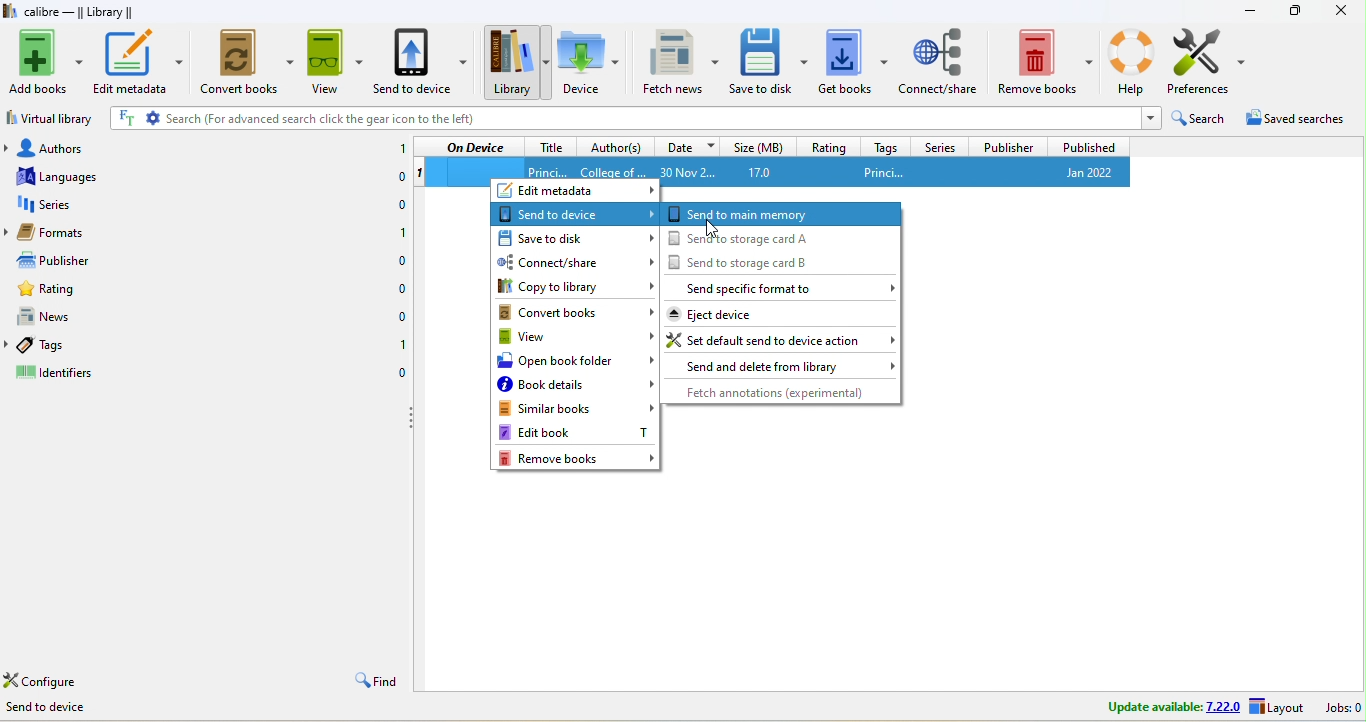  Describe the element at coordinates (938, 145) in the screenshot. I see `series` at that location.